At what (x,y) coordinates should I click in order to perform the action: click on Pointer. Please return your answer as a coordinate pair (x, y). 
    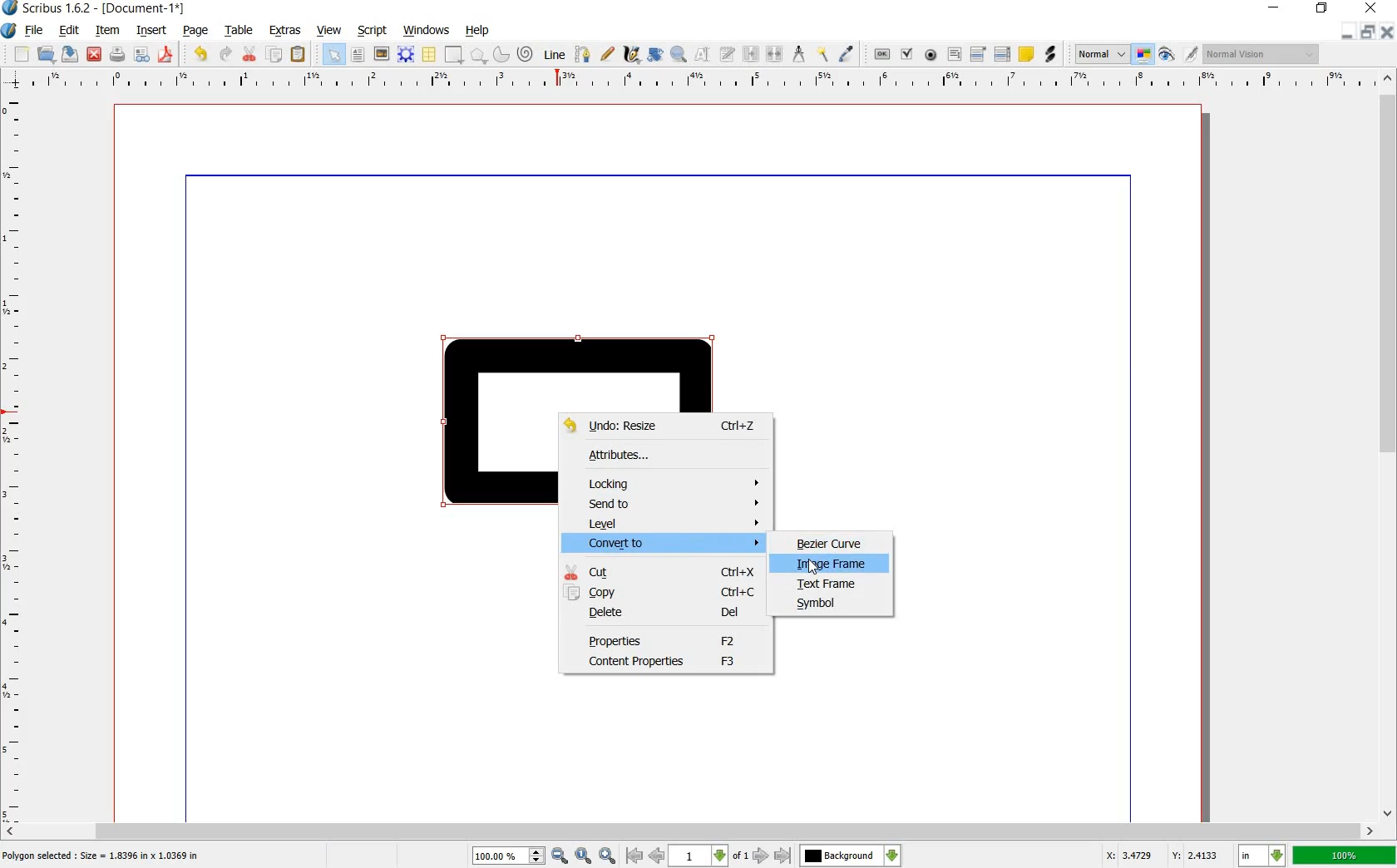
    Looking at the image, I should click on (815, 567).